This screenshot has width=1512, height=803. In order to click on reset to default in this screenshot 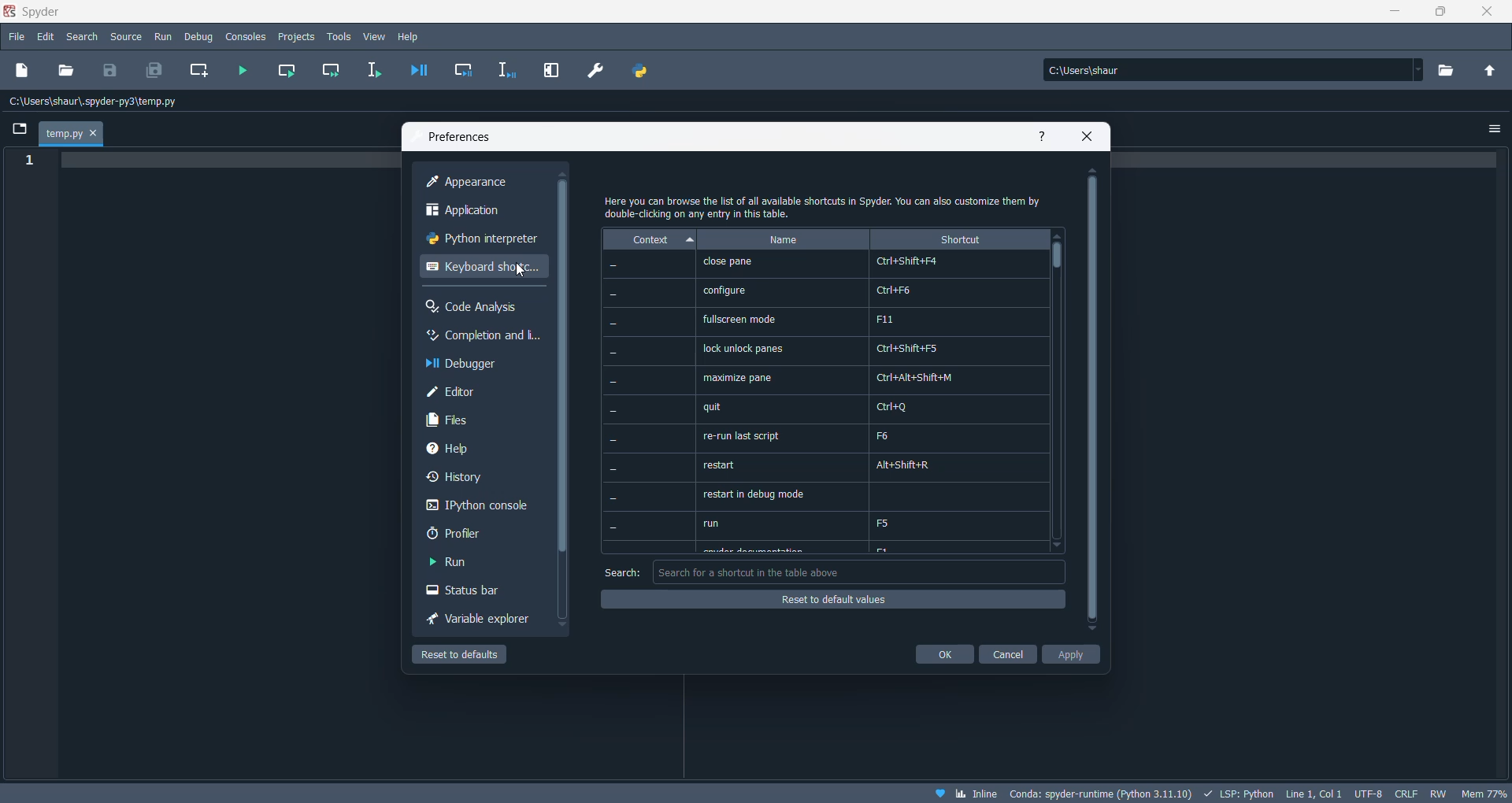, I will do `click(474, 654)`.